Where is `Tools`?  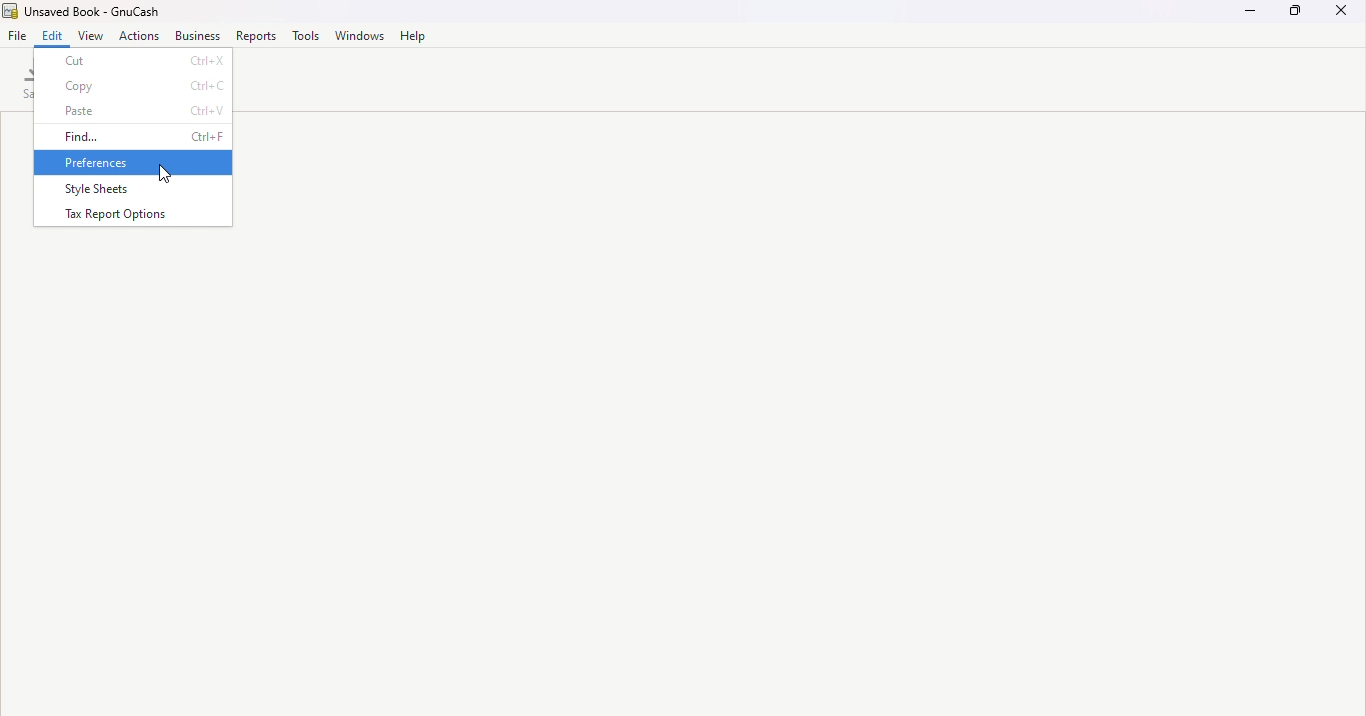
Tools is located at coordinates (308, 36).